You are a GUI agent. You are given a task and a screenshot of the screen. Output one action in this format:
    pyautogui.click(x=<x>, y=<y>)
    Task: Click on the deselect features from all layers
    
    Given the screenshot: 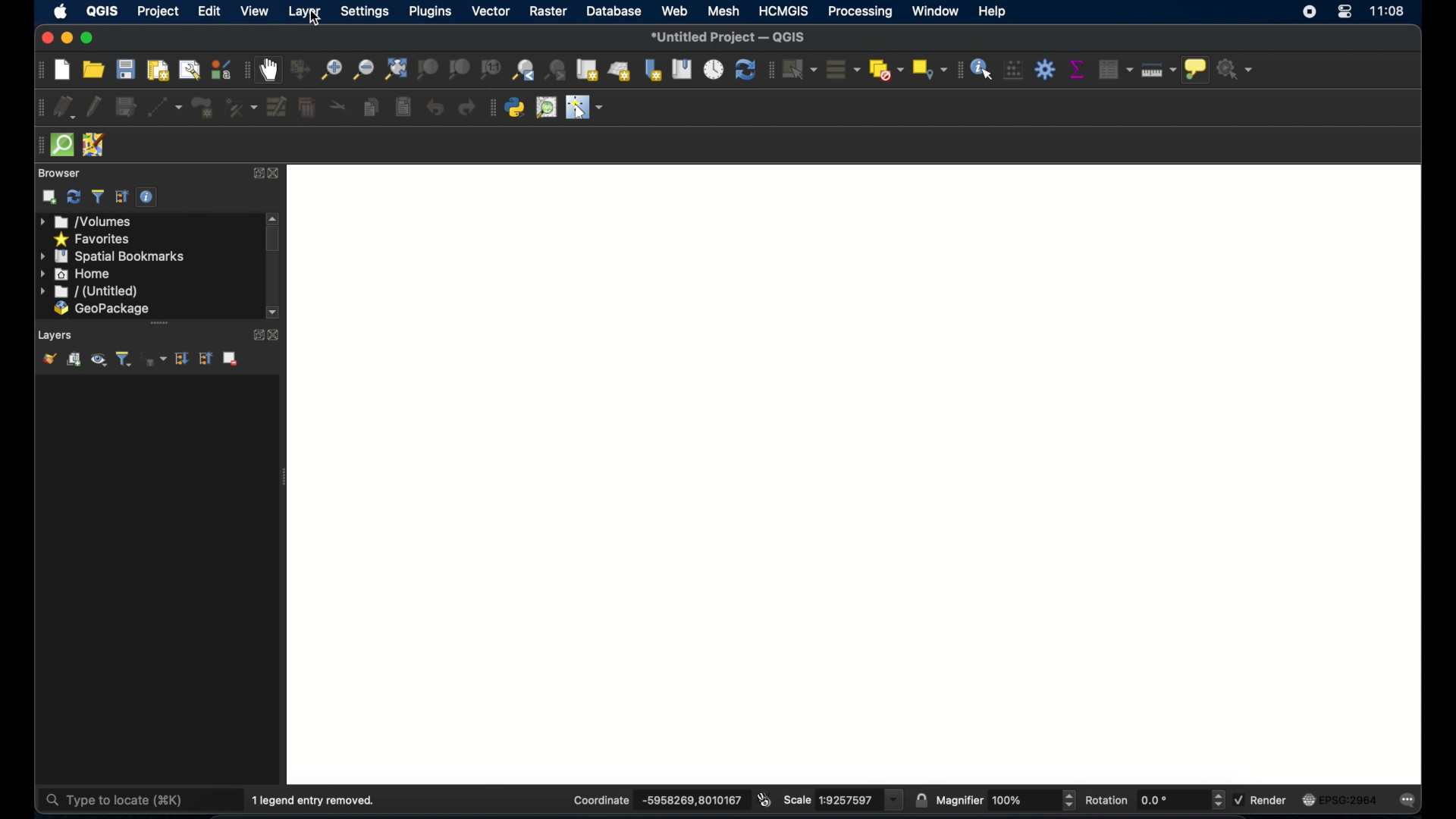 What is the action you would take?
    pyautogui.click(x=884, y=69)
    